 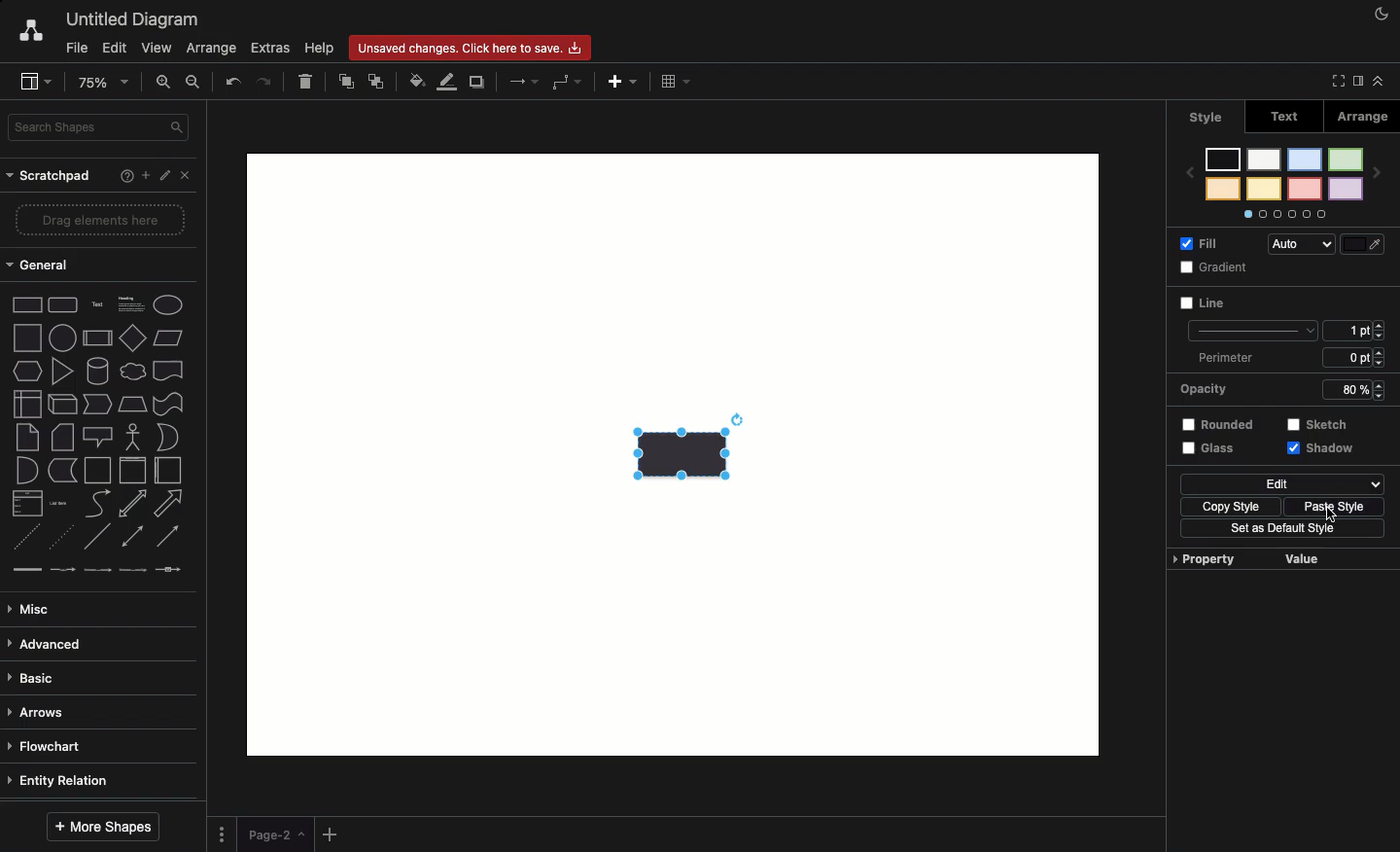 What do you see at coordinates (565, 83) in the screenshot?
I see `Waypoints` at bounding box center [565, 83].